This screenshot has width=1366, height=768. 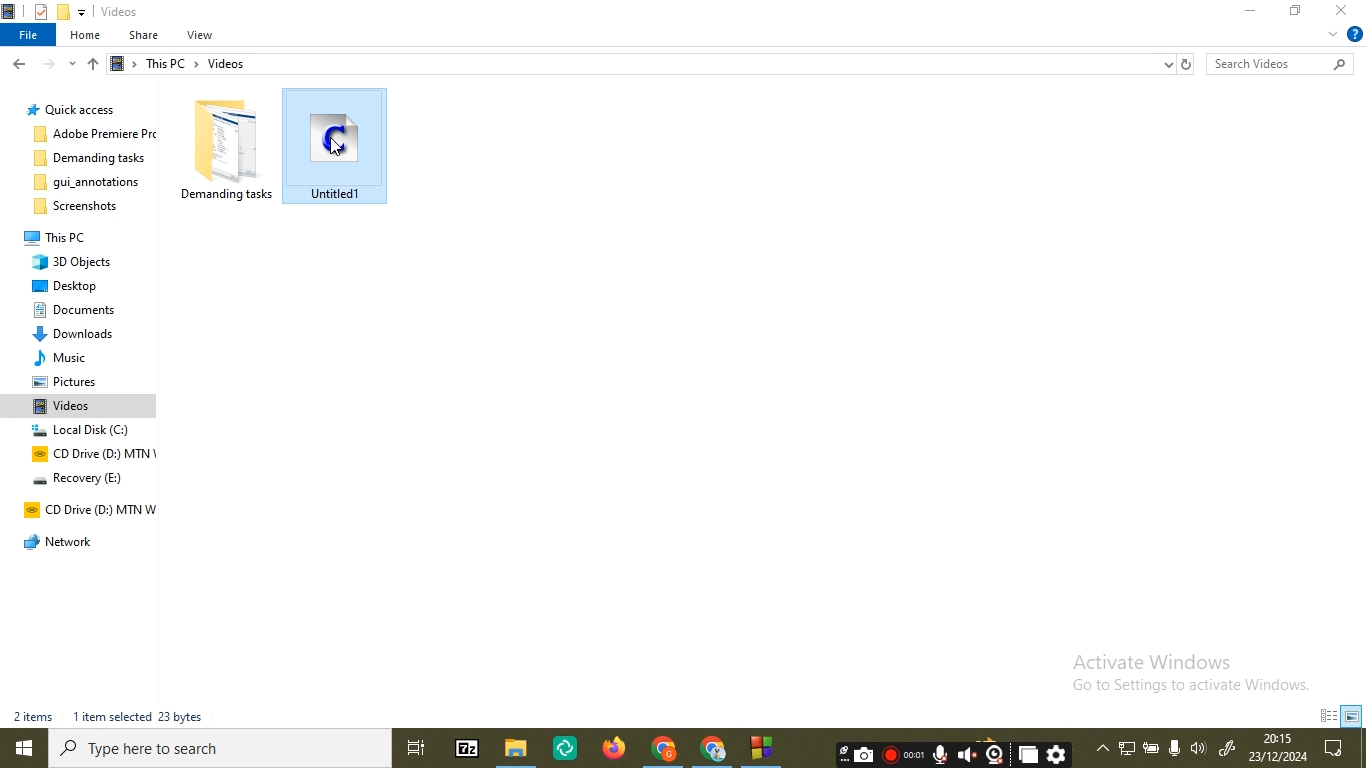 I want to click on folder, so click(x=66, y=265).